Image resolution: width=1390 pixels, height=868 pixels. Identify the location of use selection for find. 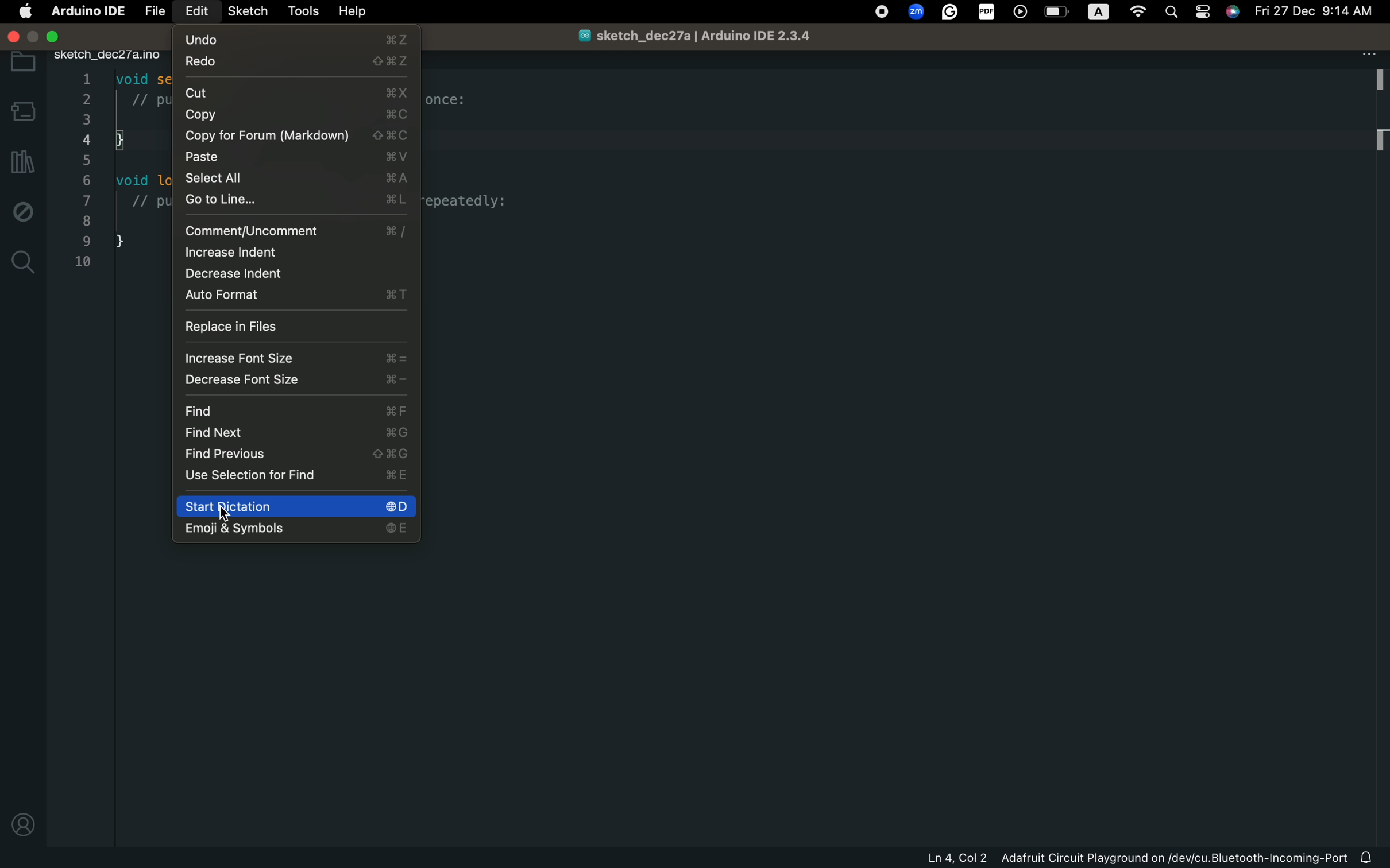
(297, 477).